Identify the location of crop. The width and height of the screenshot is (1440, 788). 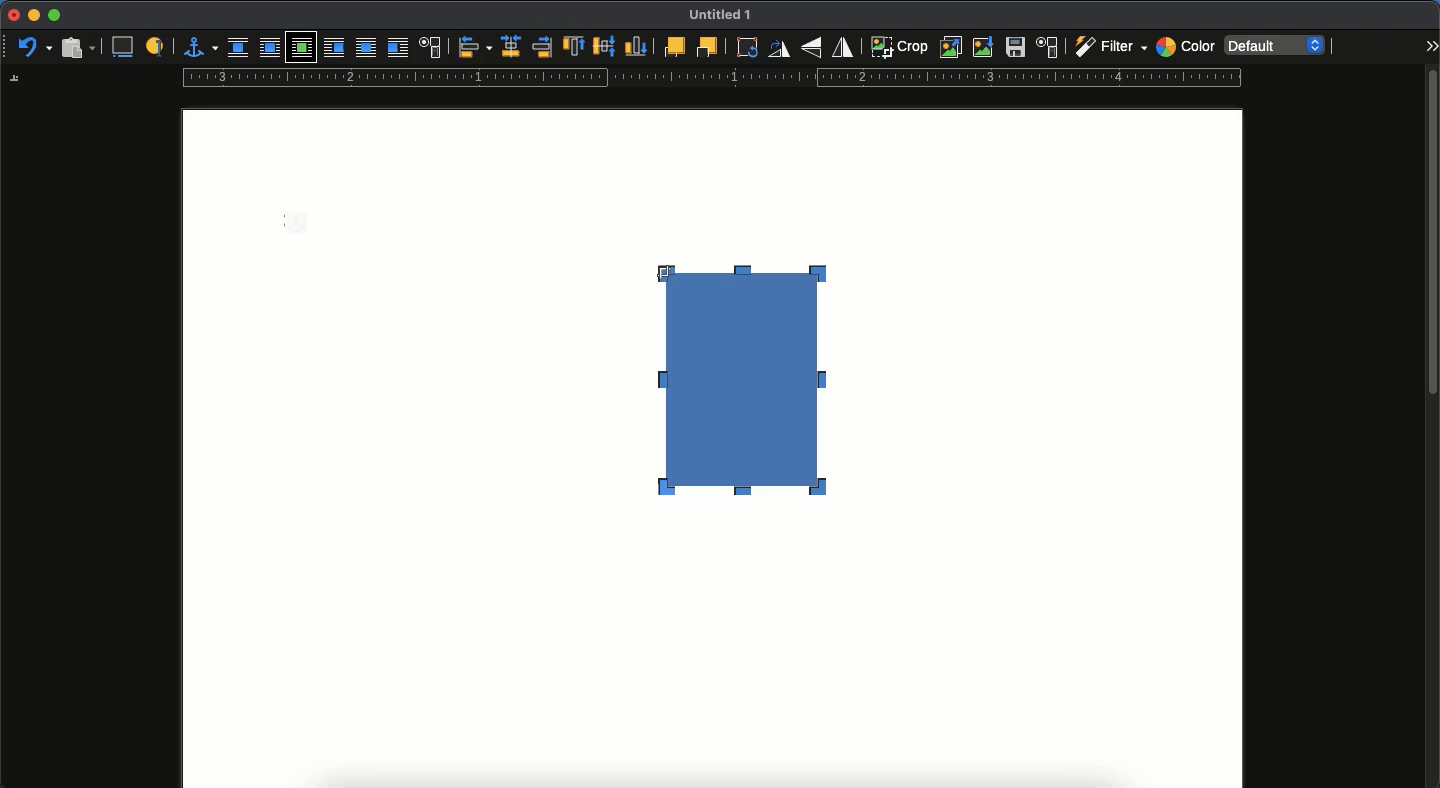
(899, 46).